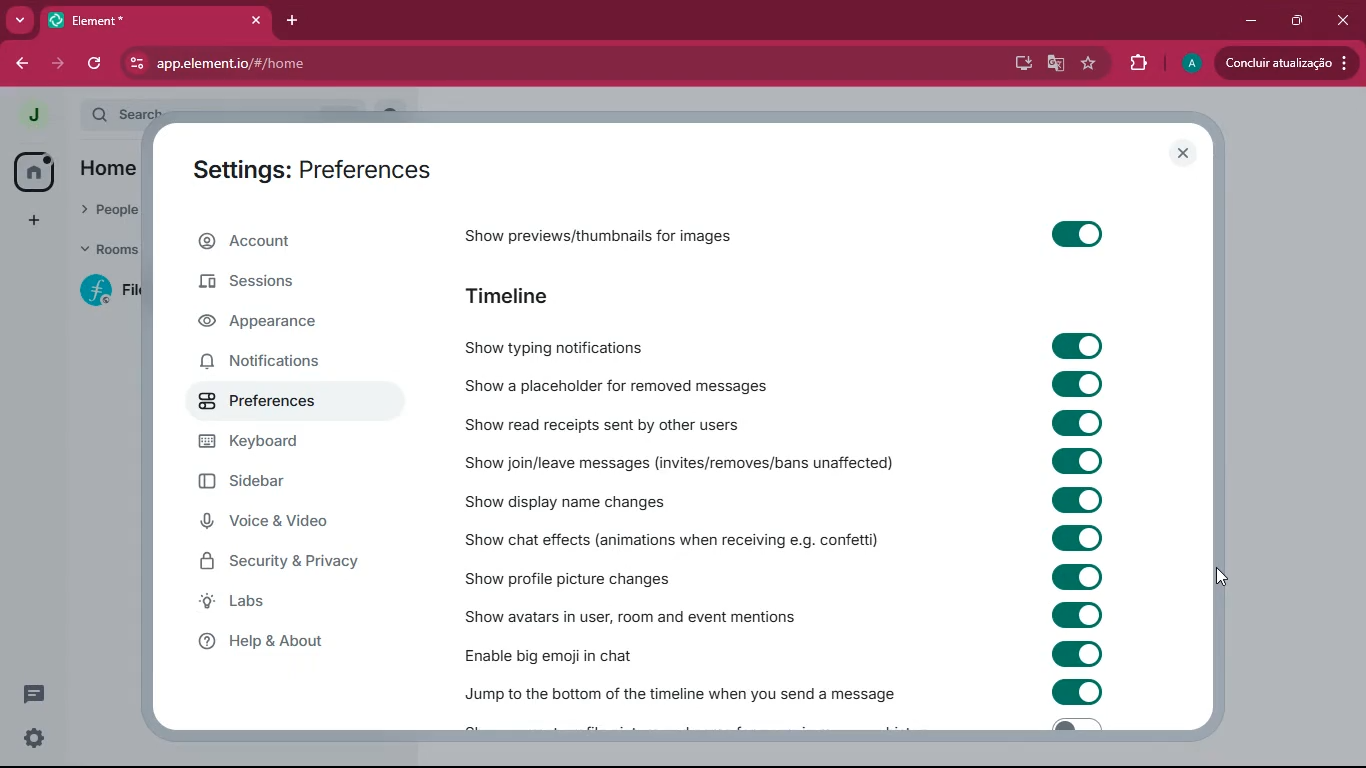 This screenshot has width=1366, height=768. Describe the element at coordinates (1078, 613) in the screenshot. I see `toggle on ` at that location.